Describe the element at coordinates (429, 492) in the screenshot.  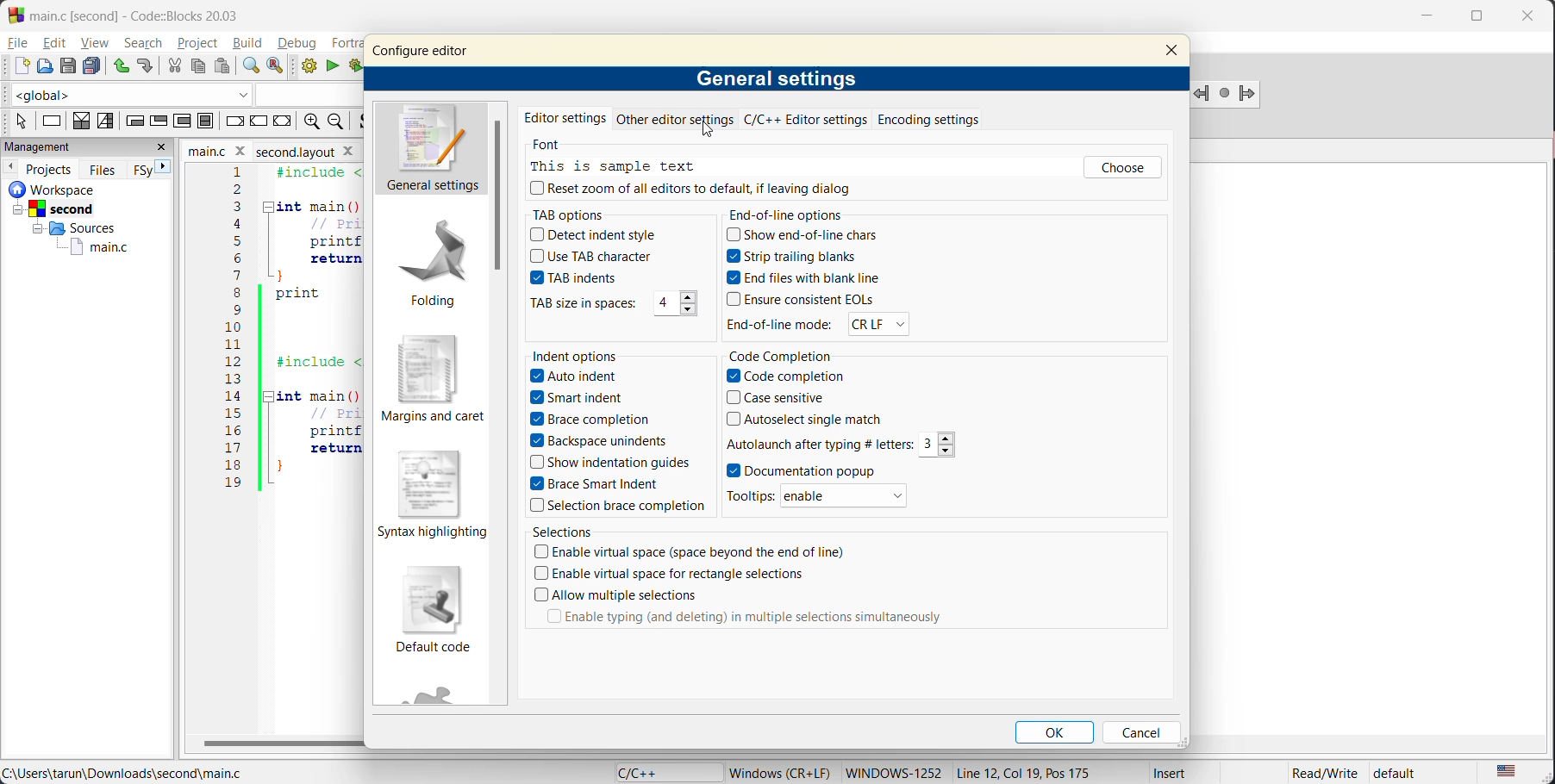
I see `syntax highlighting` at that location.